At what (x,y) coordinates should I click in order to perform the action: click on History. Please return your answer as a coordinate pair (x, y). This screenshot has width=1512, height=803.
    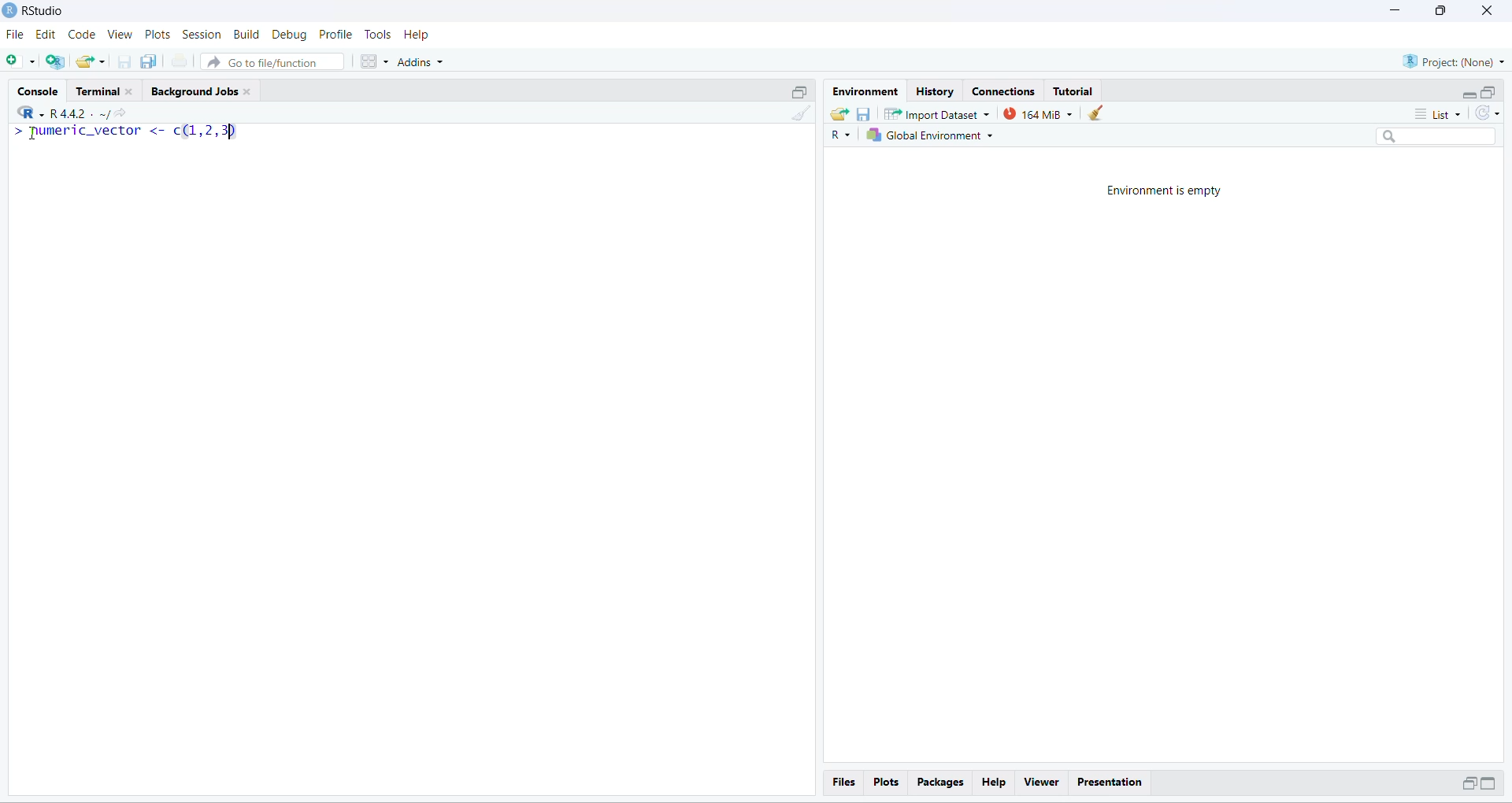
    Looking at the image, I should click on (935, 90).